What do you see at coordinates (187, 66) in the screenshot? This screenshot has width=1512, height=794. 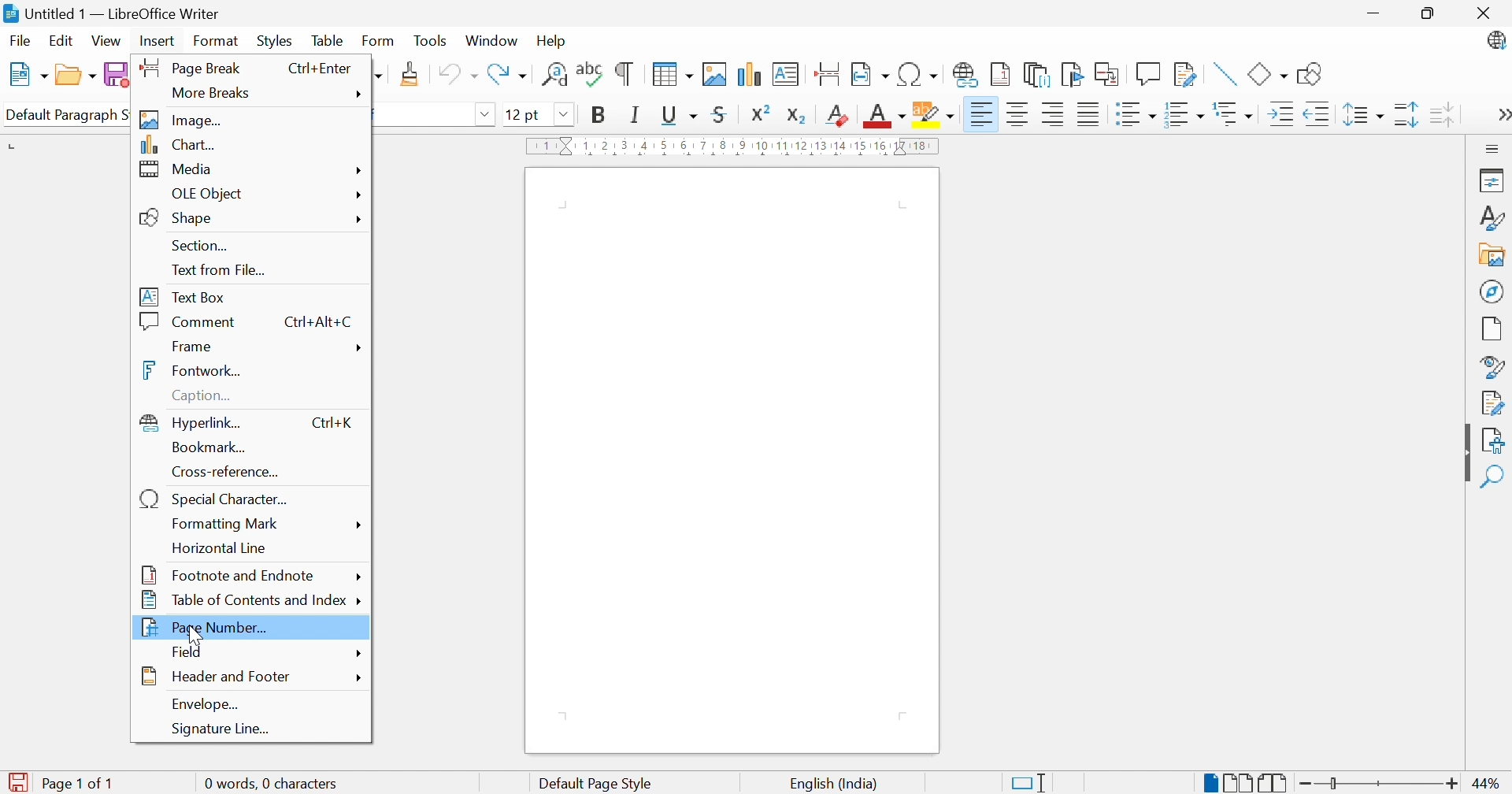 I see `Page break` at bounding box center [187, 66].